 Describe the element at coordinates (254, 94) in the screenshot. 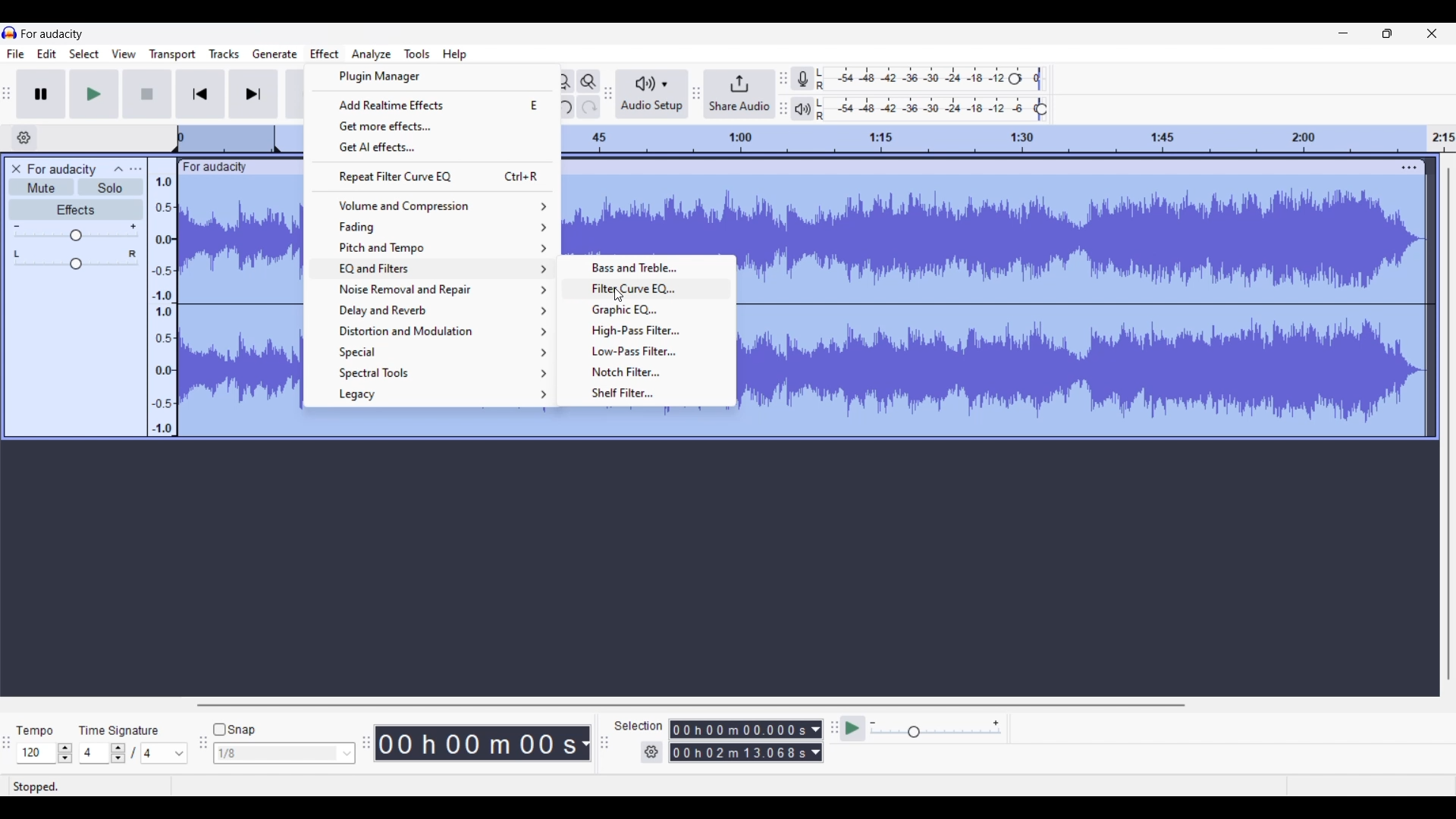

I see `Skip/Select to end` at that location.